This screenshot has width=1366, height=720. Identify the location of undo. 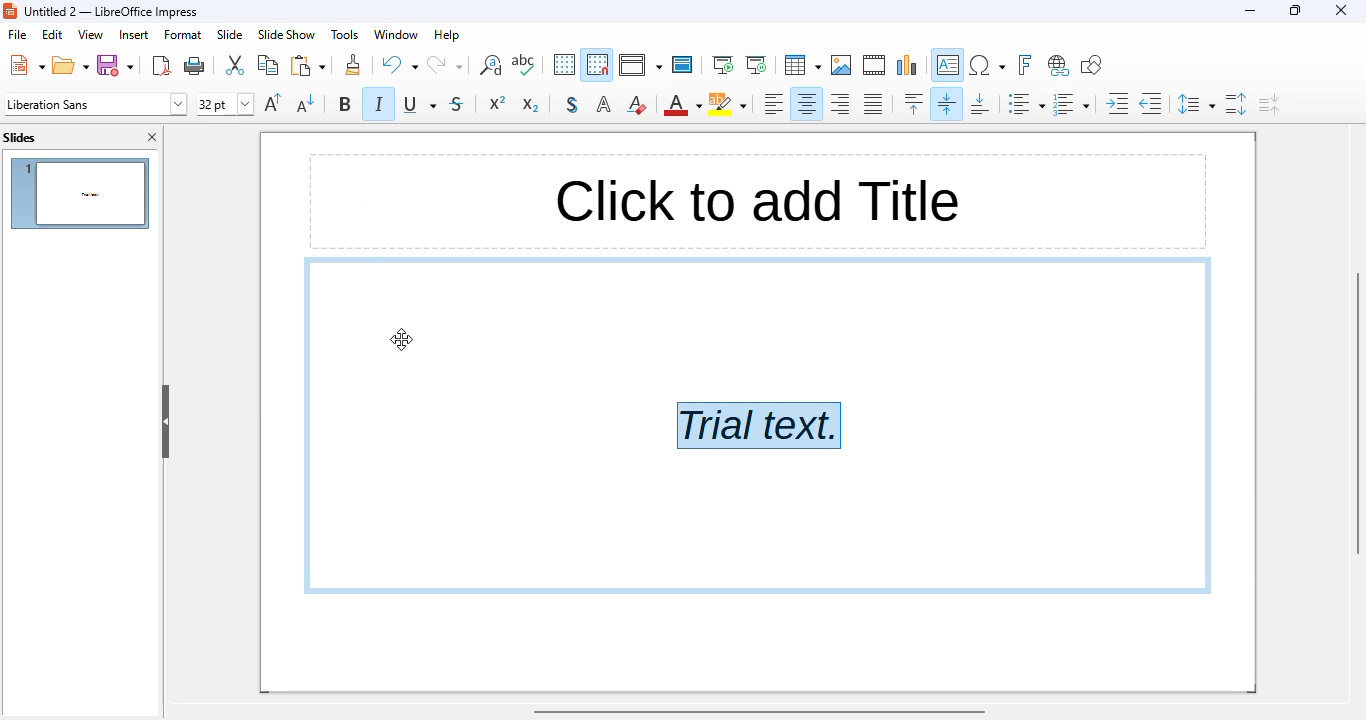
(400, 65).